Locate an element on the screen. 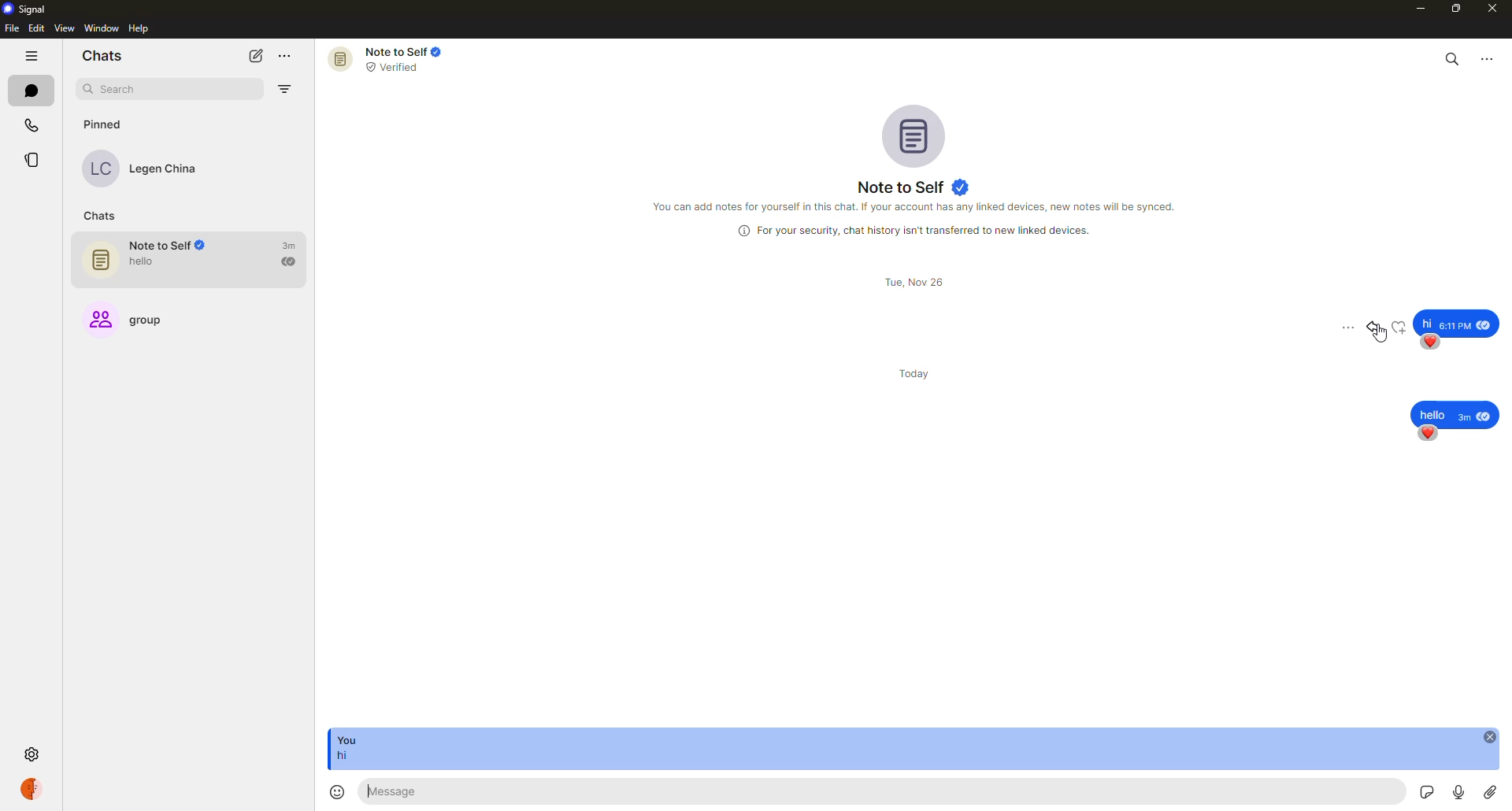 The width and height of the screenshot is (1512, 811). profile pic is located at coordinates (912, 131).